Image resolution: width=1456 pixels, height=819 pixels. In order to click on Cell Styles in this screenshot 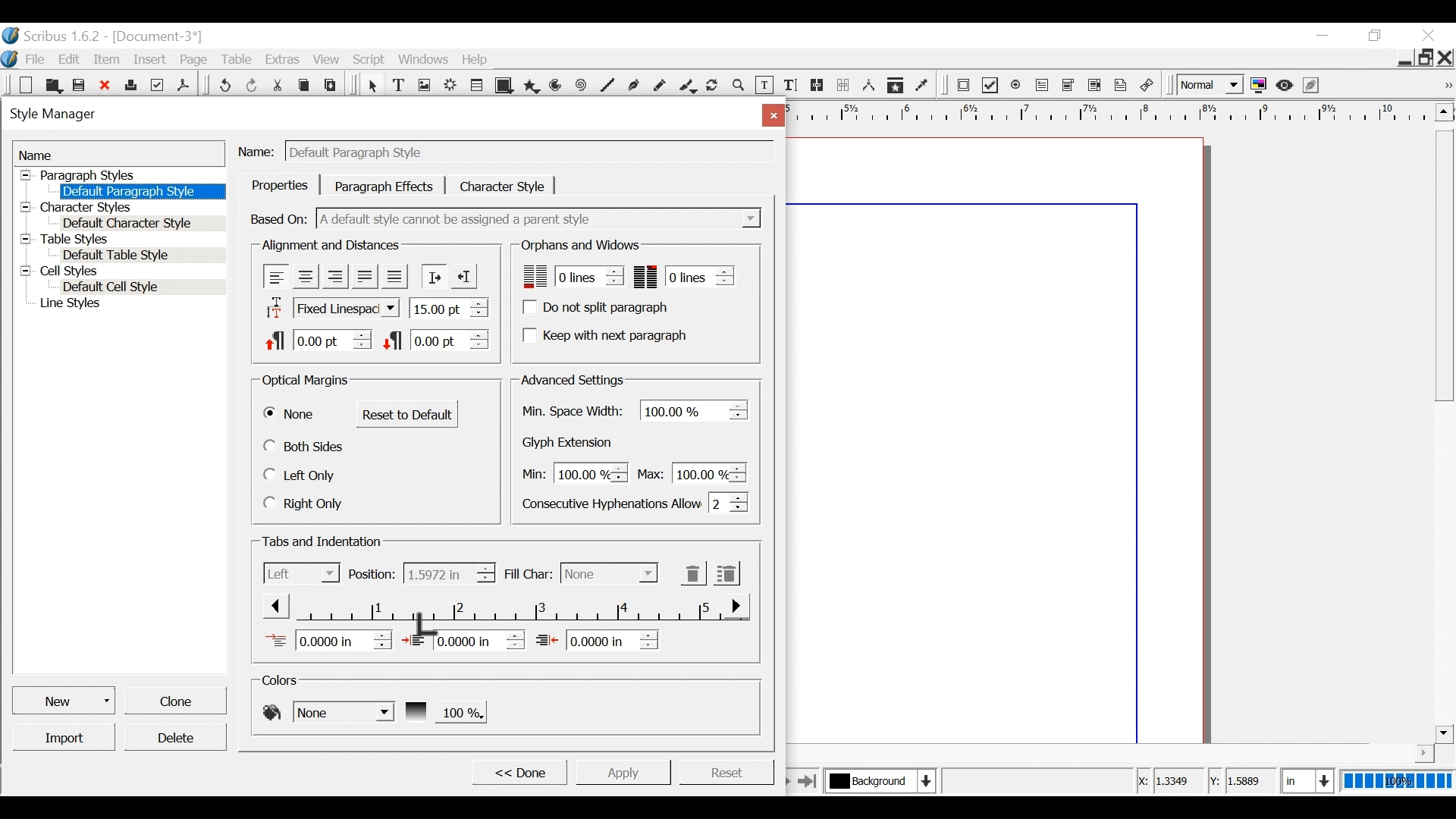, I will do `click(121, 272)`.